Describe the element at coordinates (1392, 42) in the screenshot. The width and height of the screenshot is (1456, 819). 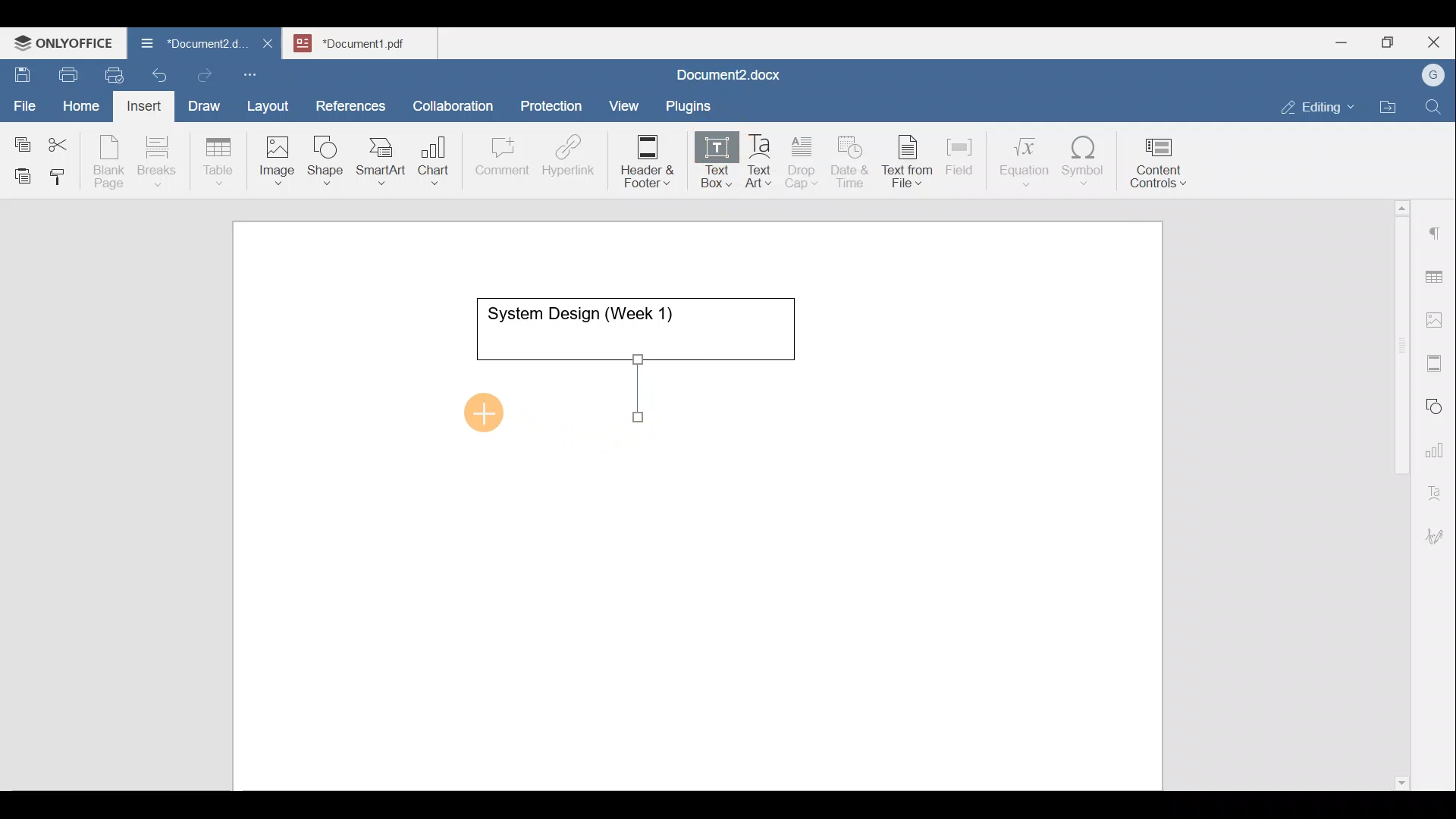
I see `Maximize` at that location.